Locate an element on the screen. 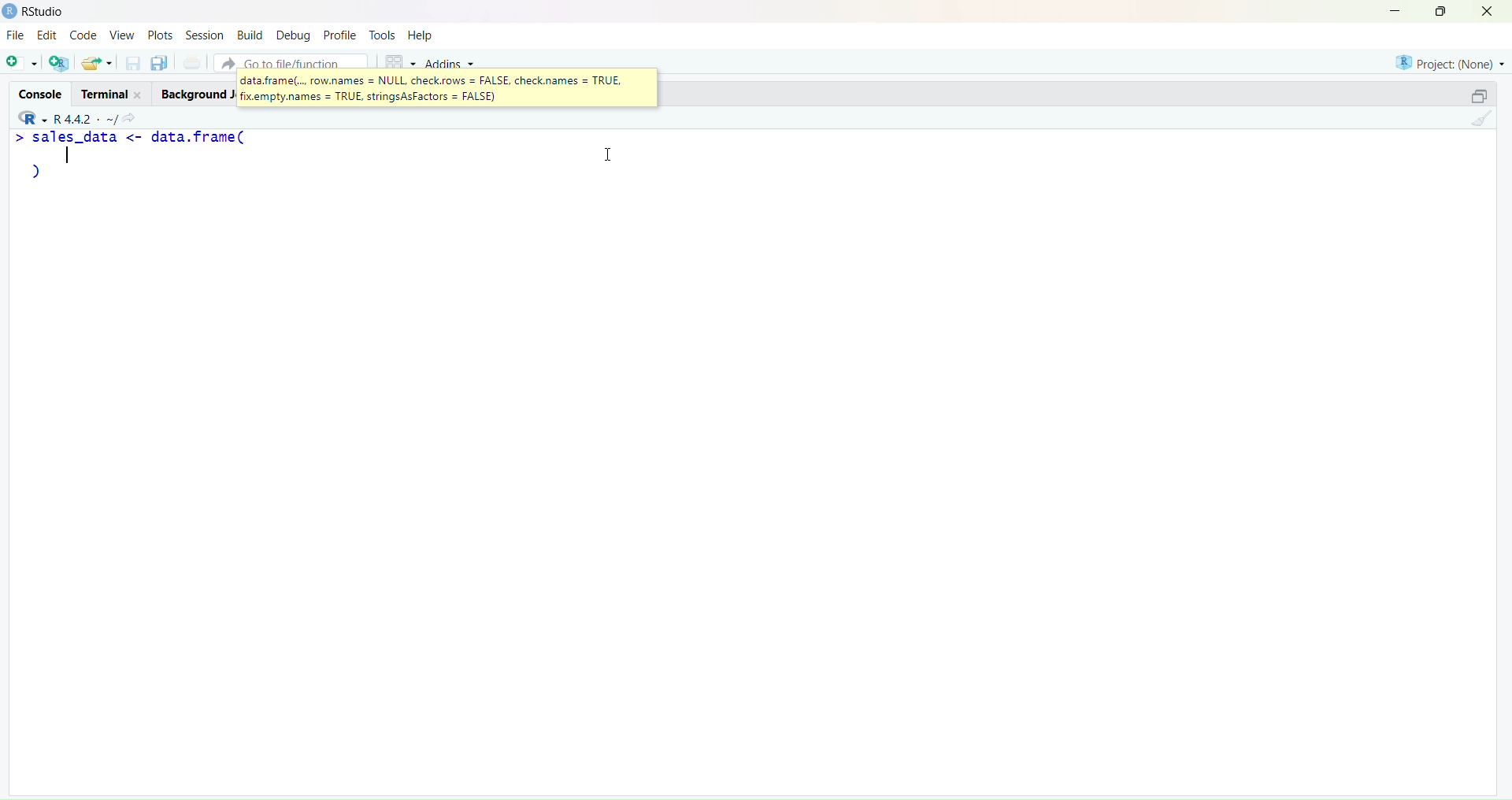 Image resolution: width=1512 pixels, height=800 pixels. Session is located at coordinates (202, 35).